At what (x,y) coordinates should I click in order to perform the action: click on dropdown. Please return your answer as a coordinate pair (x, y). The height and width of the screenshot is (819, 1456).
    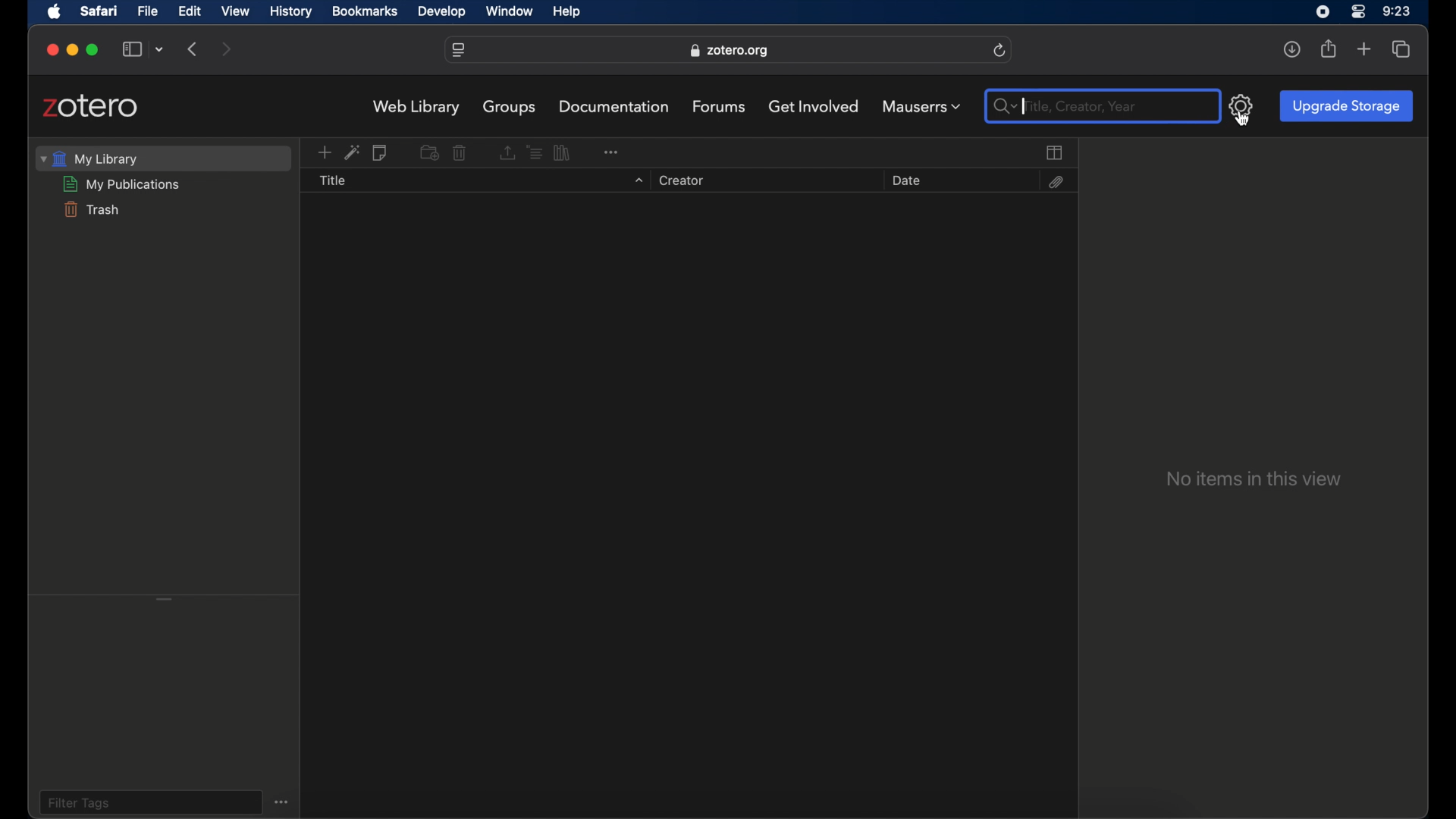
    Looking at the image, I should click on (637, 181).